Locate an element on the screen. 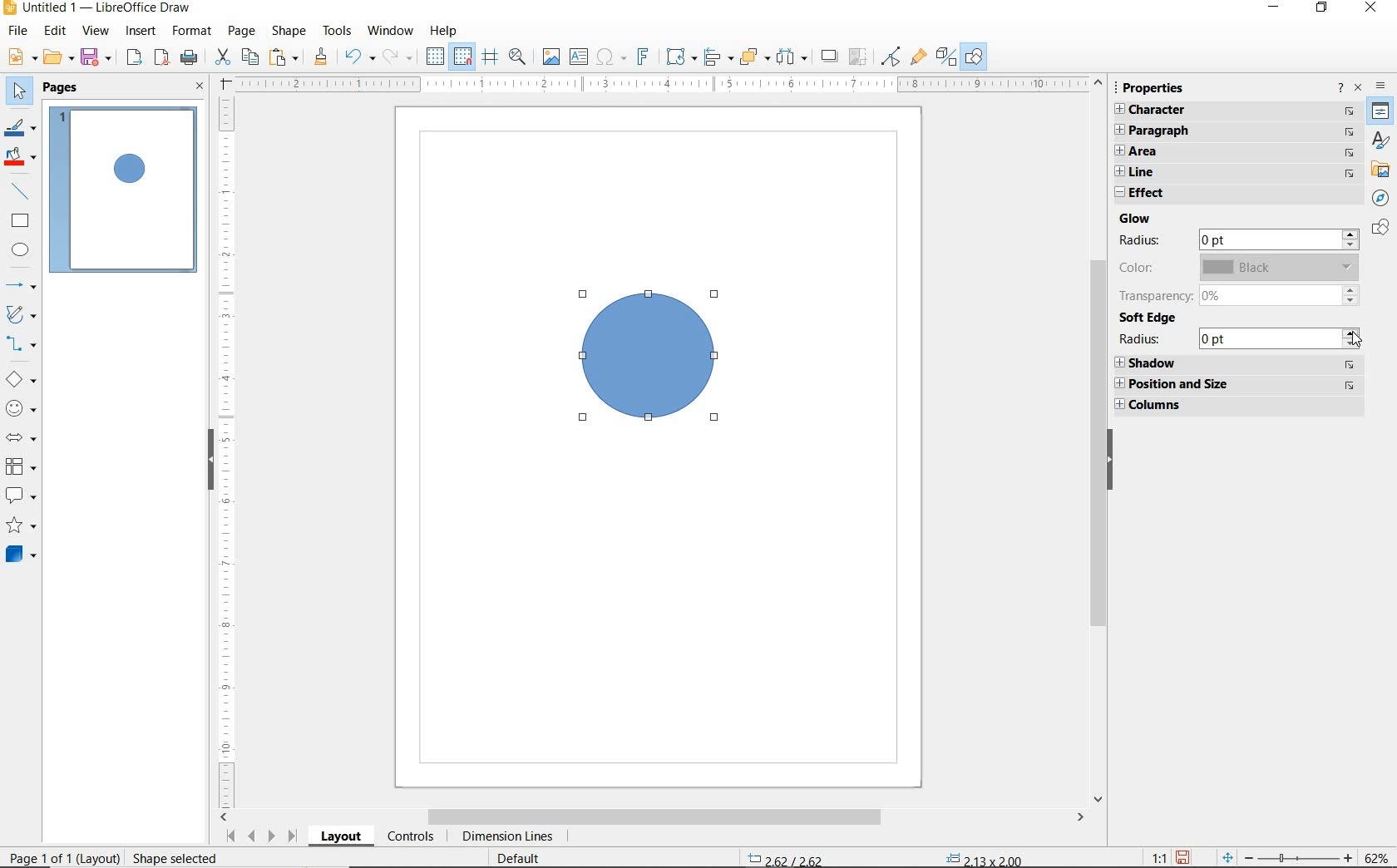 This screenshot has width=1397, height=868. ALIGN OBJECTS is located at coordinates (718, 56).